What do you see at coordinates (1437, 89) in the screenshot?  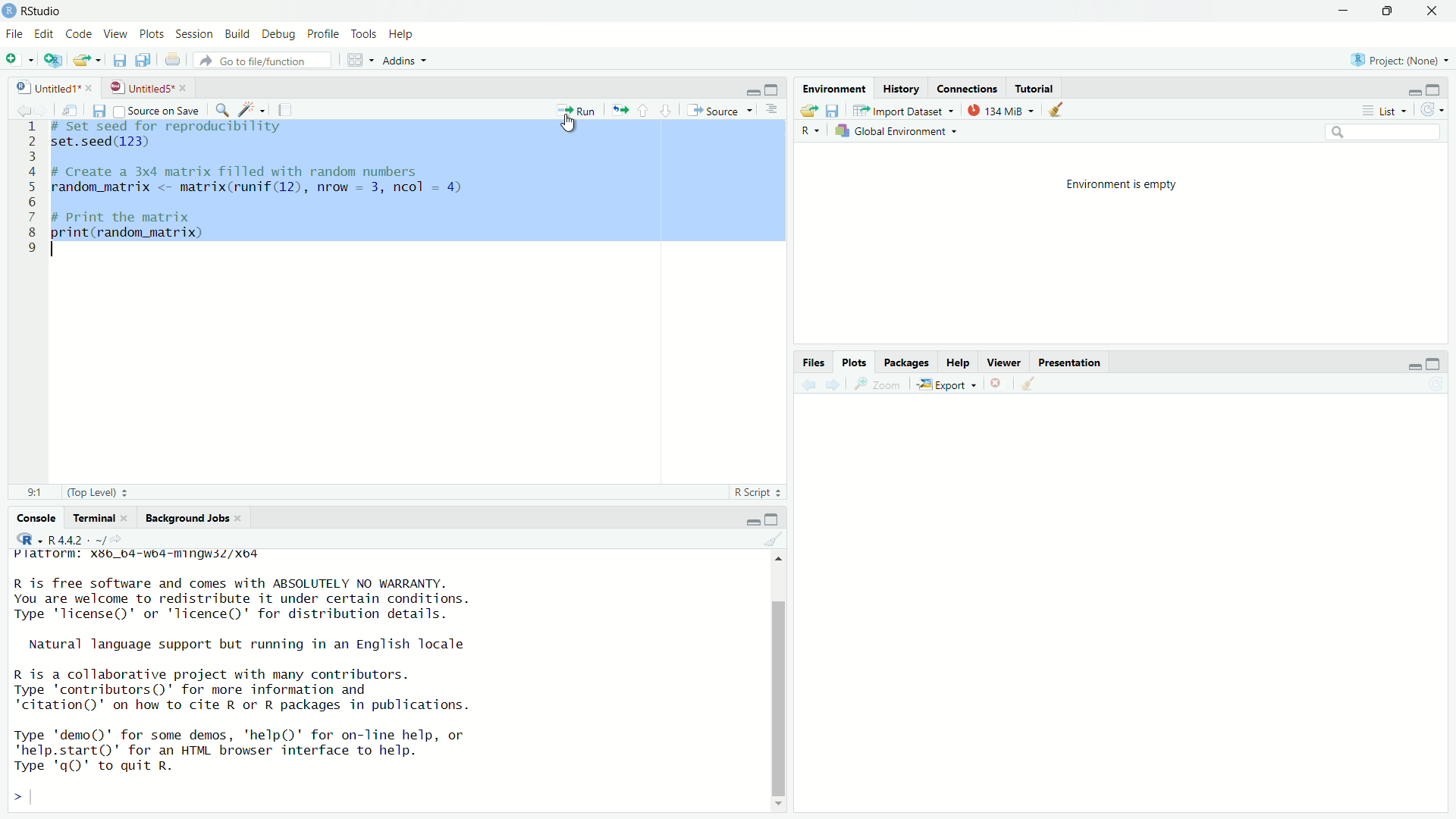 I see `maximise` at bounding box center [1437, 89].